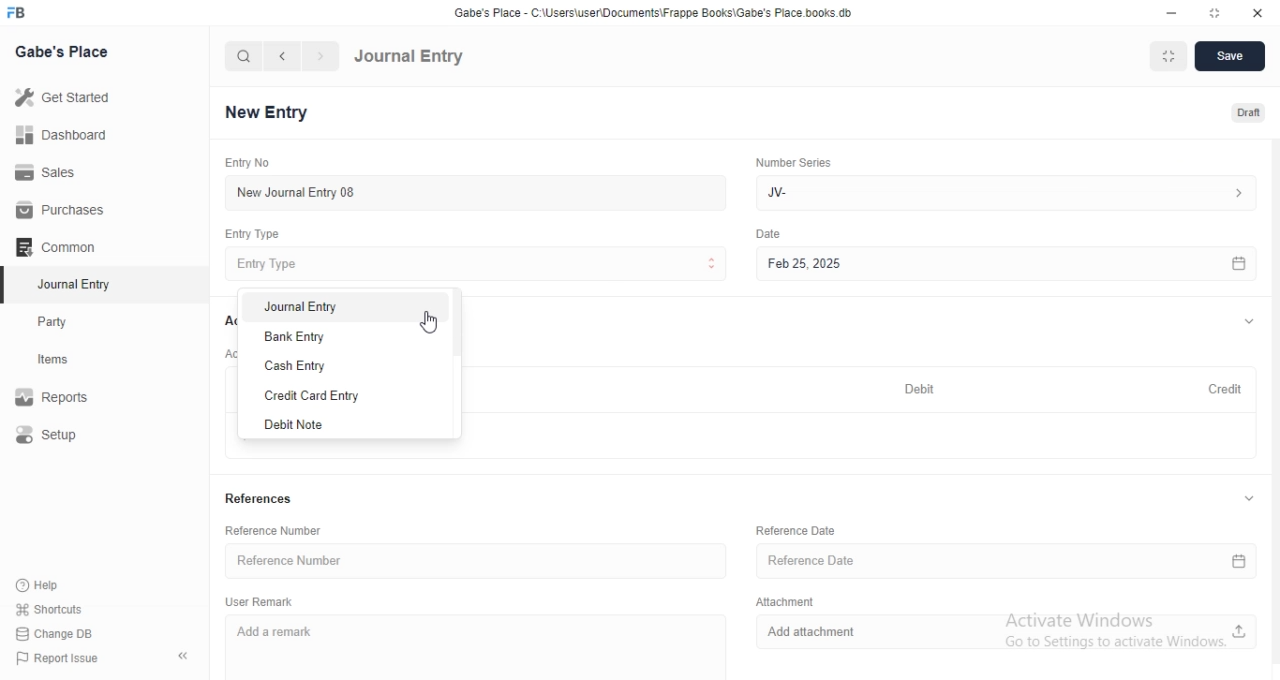 Image resolution: width=1280 pixels, height=680 pixels. I want to click on ‘Gabe's Place - C\Users\useriDocuments\Frappe Books\Gabe's Place books. db, so click(650, 10).